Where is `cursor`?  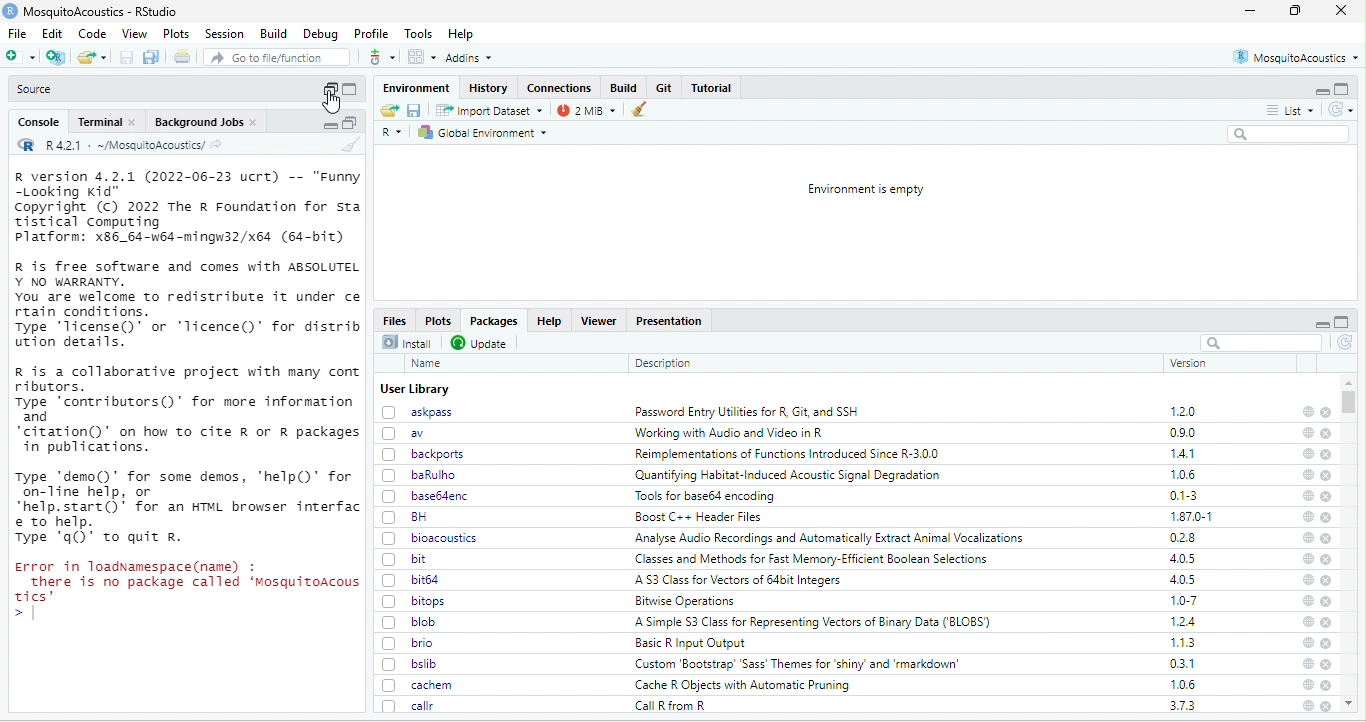 cursor is located at coordinates (330, 103).